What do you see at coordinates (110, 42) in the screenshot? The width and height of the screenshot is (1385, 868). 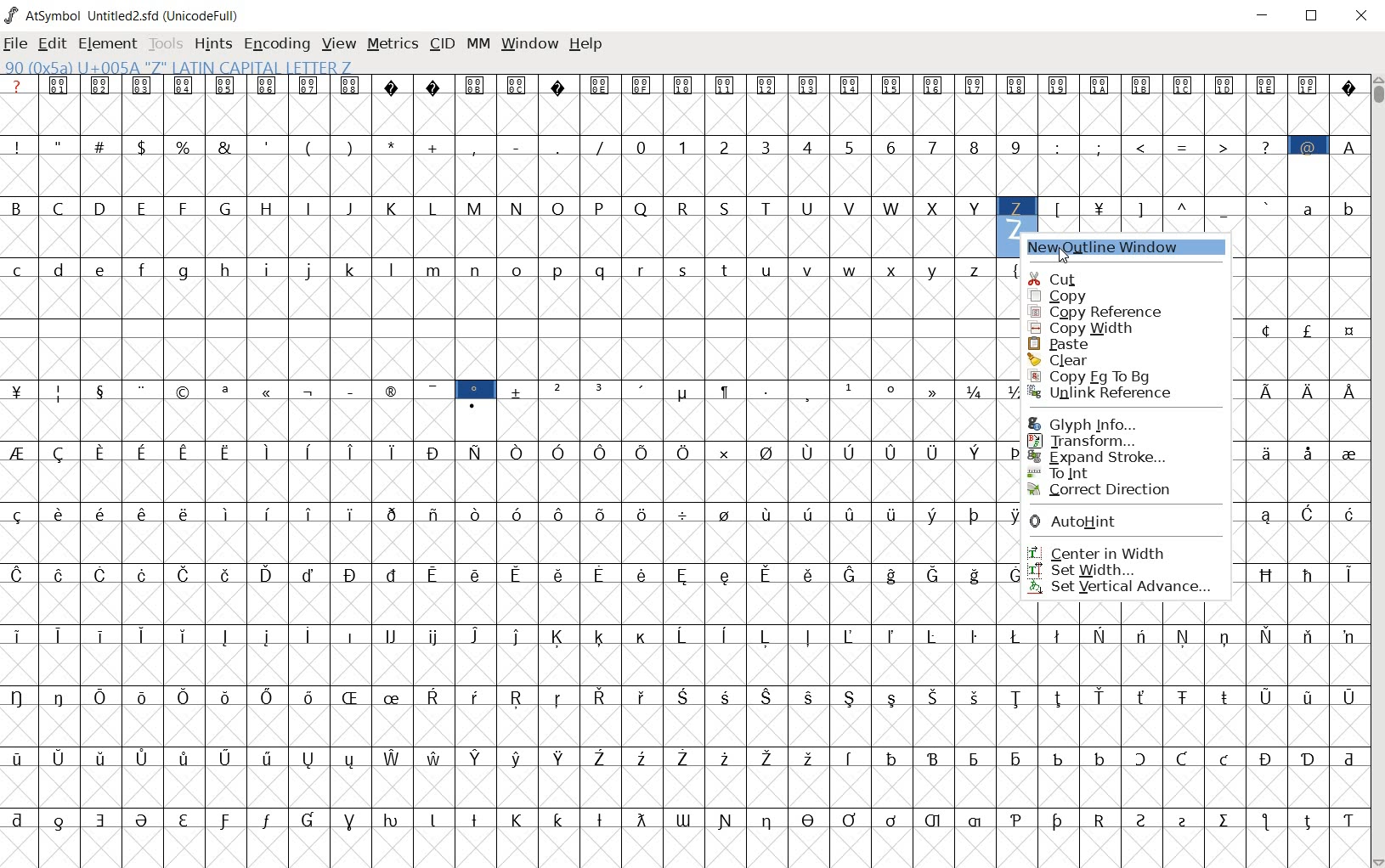 I see `element` at bounding box center [110, 42].